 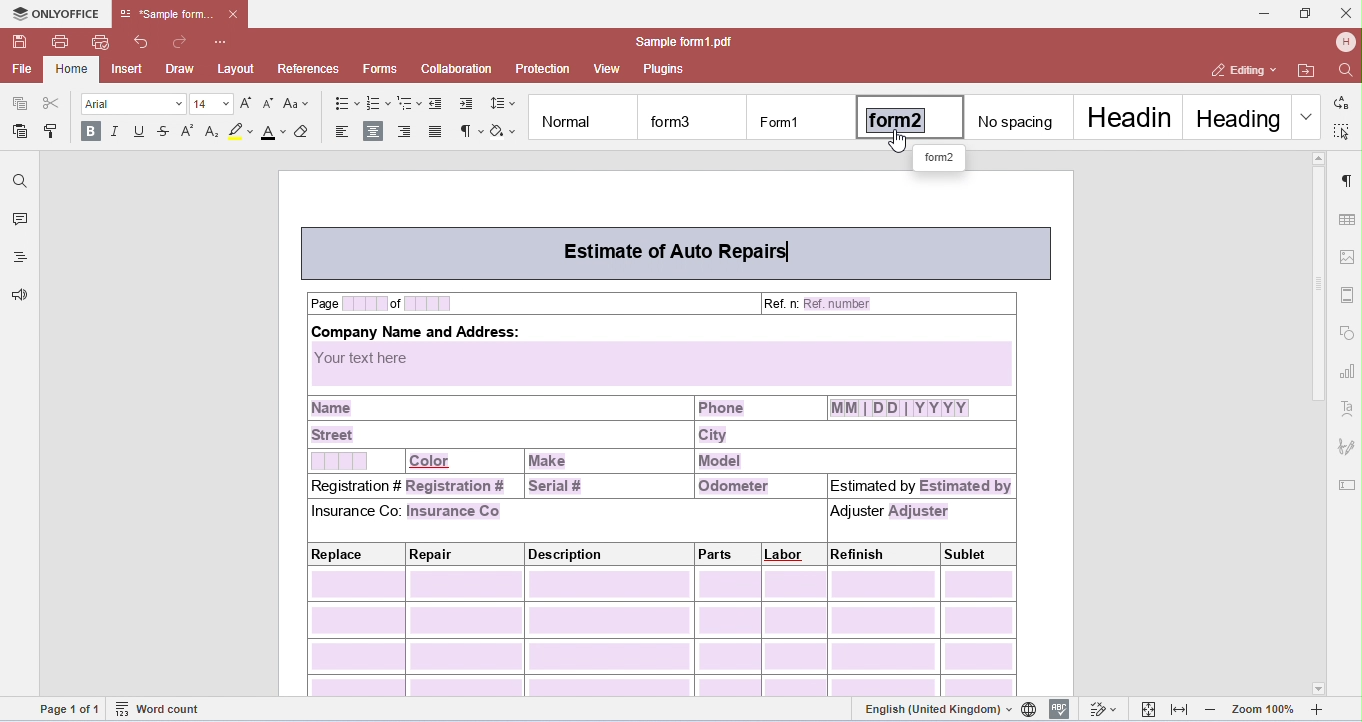 What do you see at coordinates (1345, 444) in the screenshot?
I see `signature settings` at bounding box center [1345, 444].